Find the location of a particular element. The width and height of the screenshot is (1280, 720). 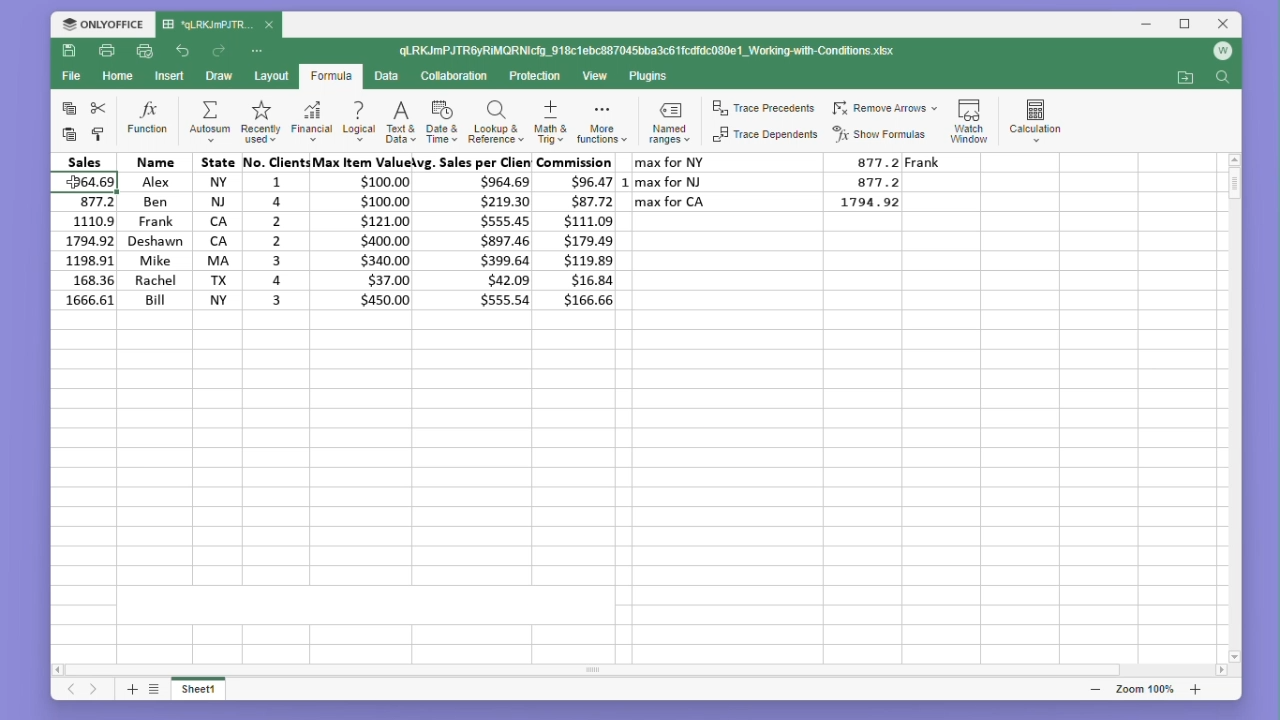

max for NY 877.2 Frank is located at coordinates (795, 161).